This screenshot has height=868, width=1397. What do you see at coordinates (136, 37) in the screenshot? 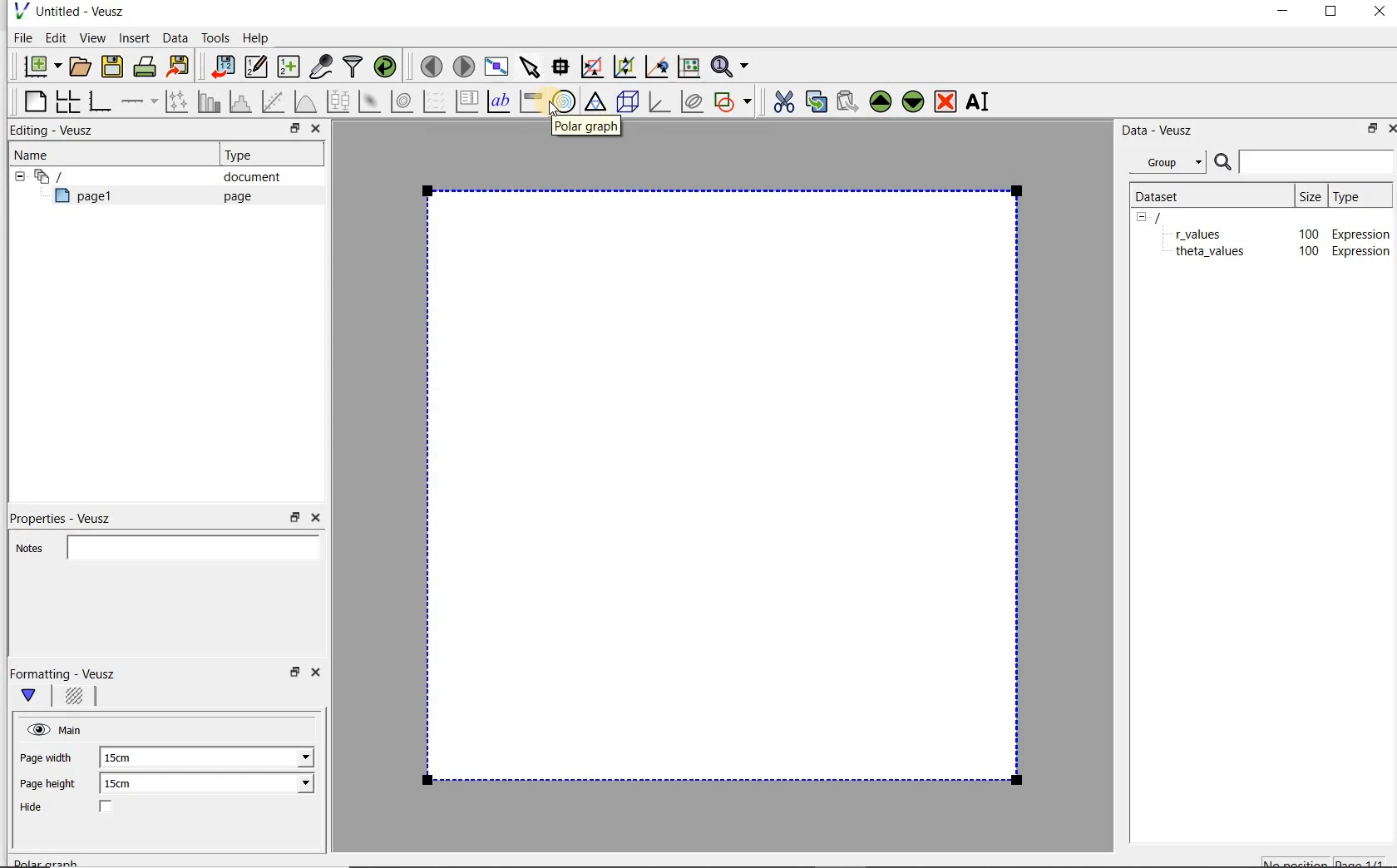
I see `Insert` at bounding box center [136, 37].